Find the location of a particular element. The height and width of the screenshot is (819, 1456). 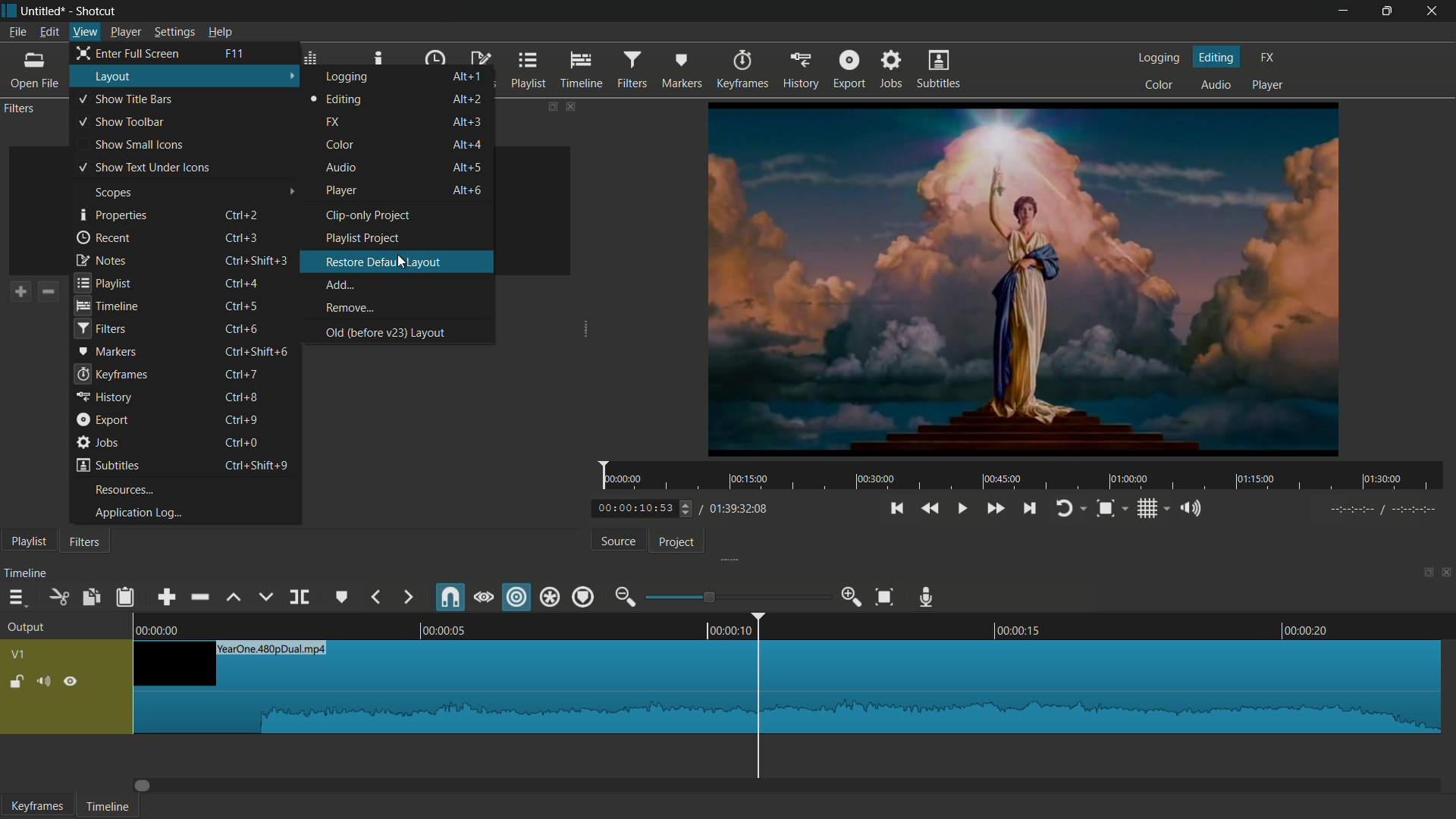

audio is located at coordinates (340, 167).